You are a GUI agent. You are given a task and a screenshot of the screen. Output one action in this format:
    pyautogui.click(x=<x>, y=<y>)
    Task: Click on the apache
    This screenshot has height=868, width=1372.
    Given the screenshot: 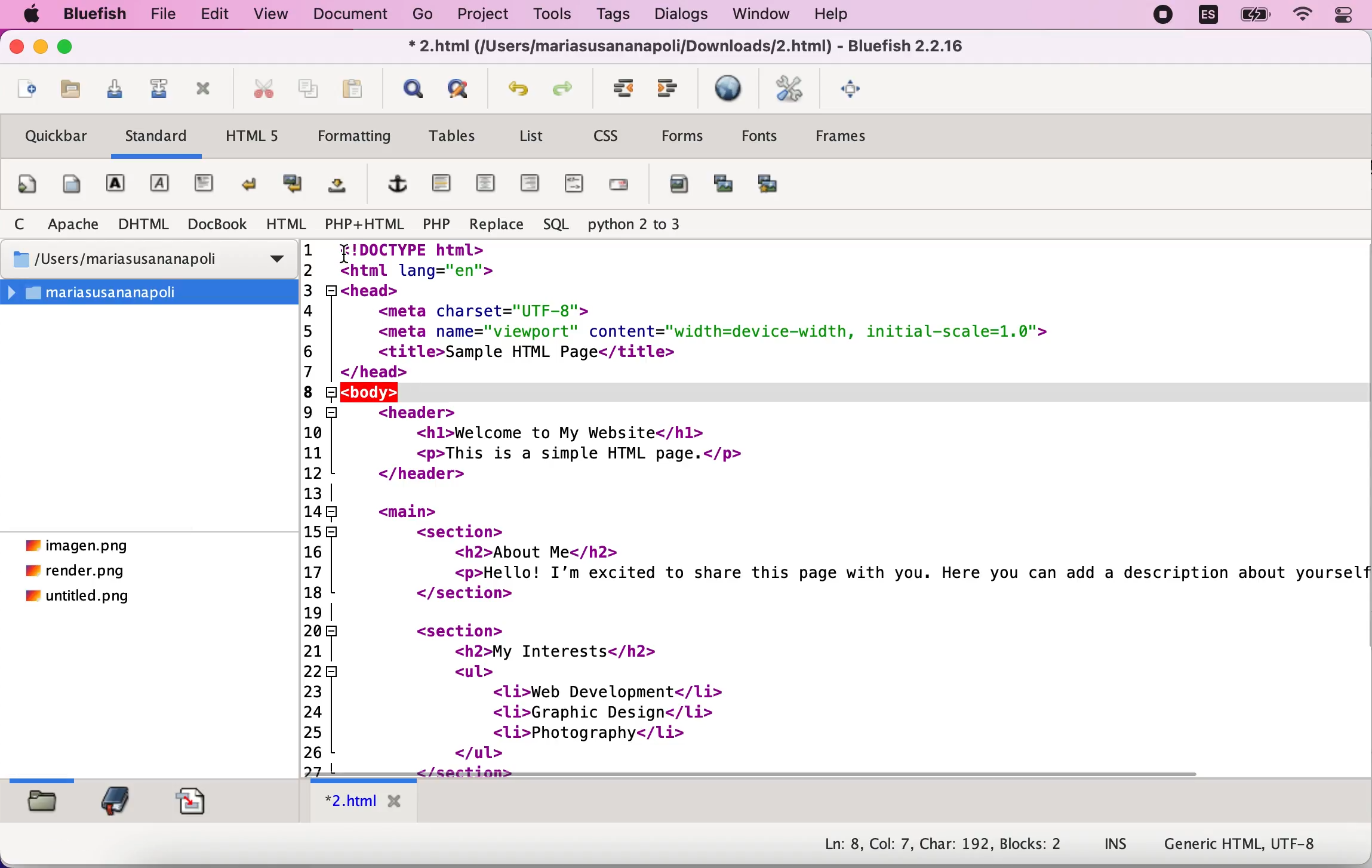 What is the action you would take?
    pyautogui.click(x=72, y=224)
    